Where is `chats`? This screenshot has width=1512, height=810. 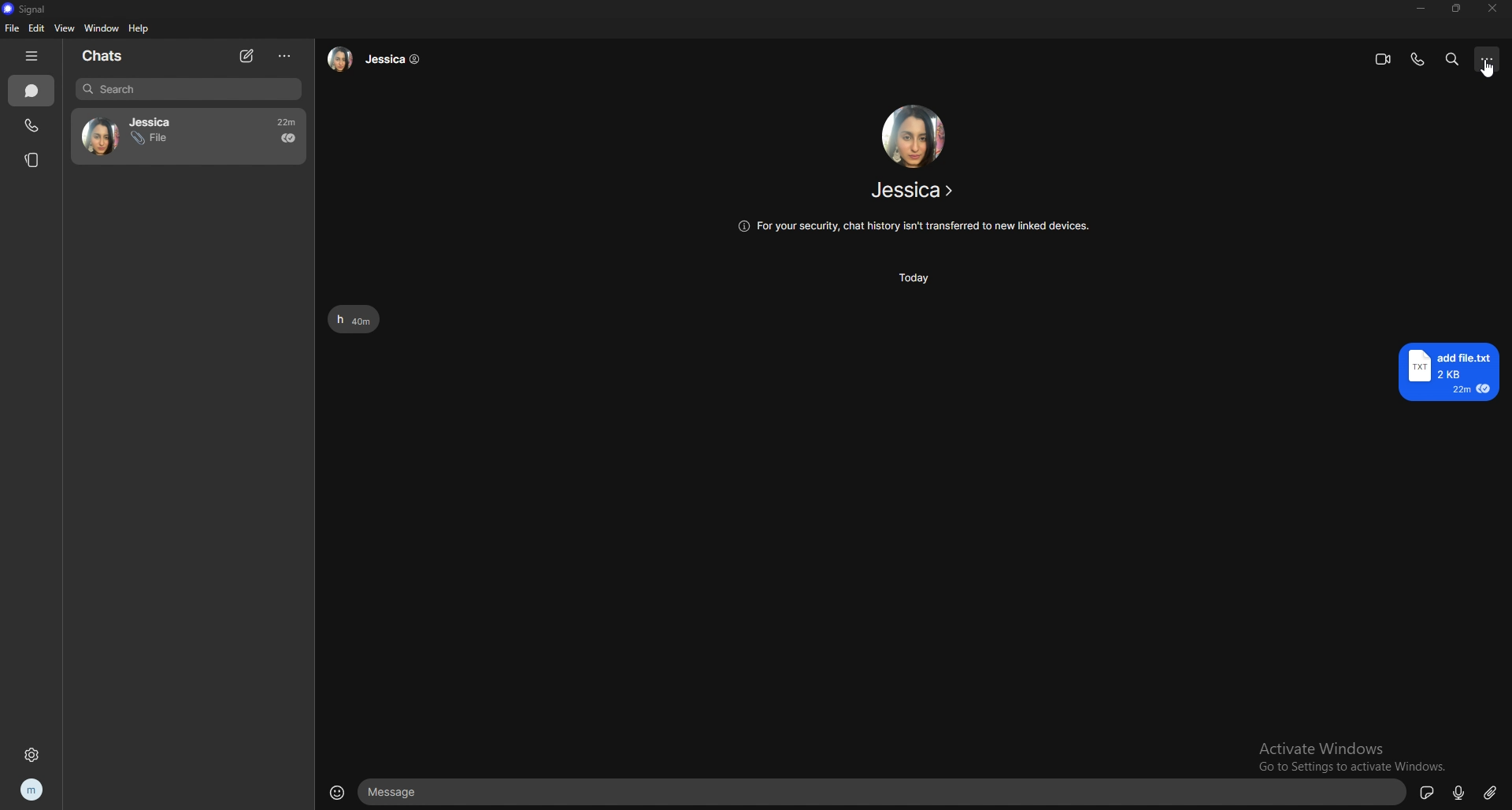 chats is located at coordinates (109, 57).